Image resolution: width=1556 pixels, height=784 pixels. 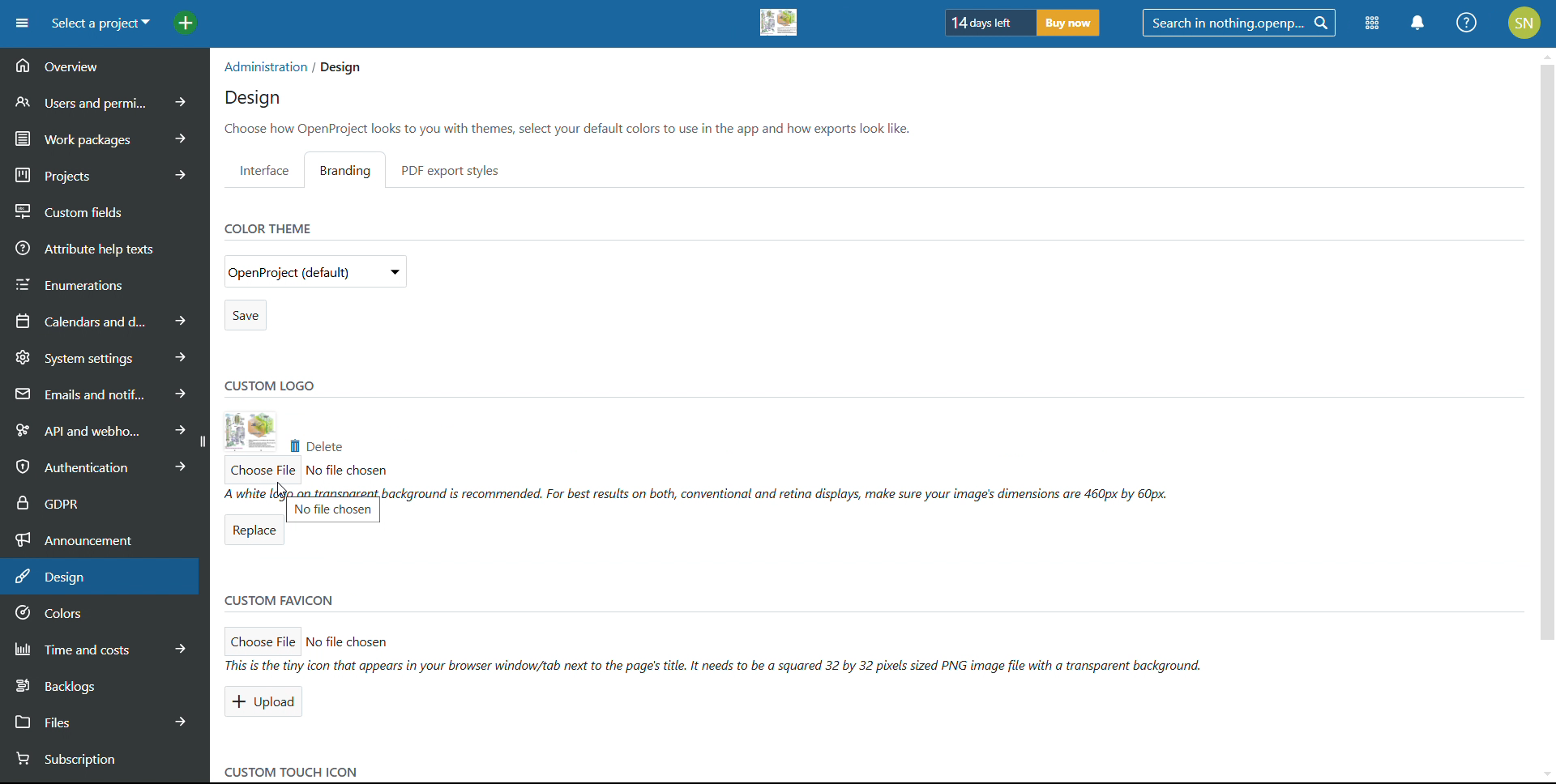 What do you see at coordinates (1371, 24) in the screenshot?
I see `modules` at bounding box center [1371, 24].